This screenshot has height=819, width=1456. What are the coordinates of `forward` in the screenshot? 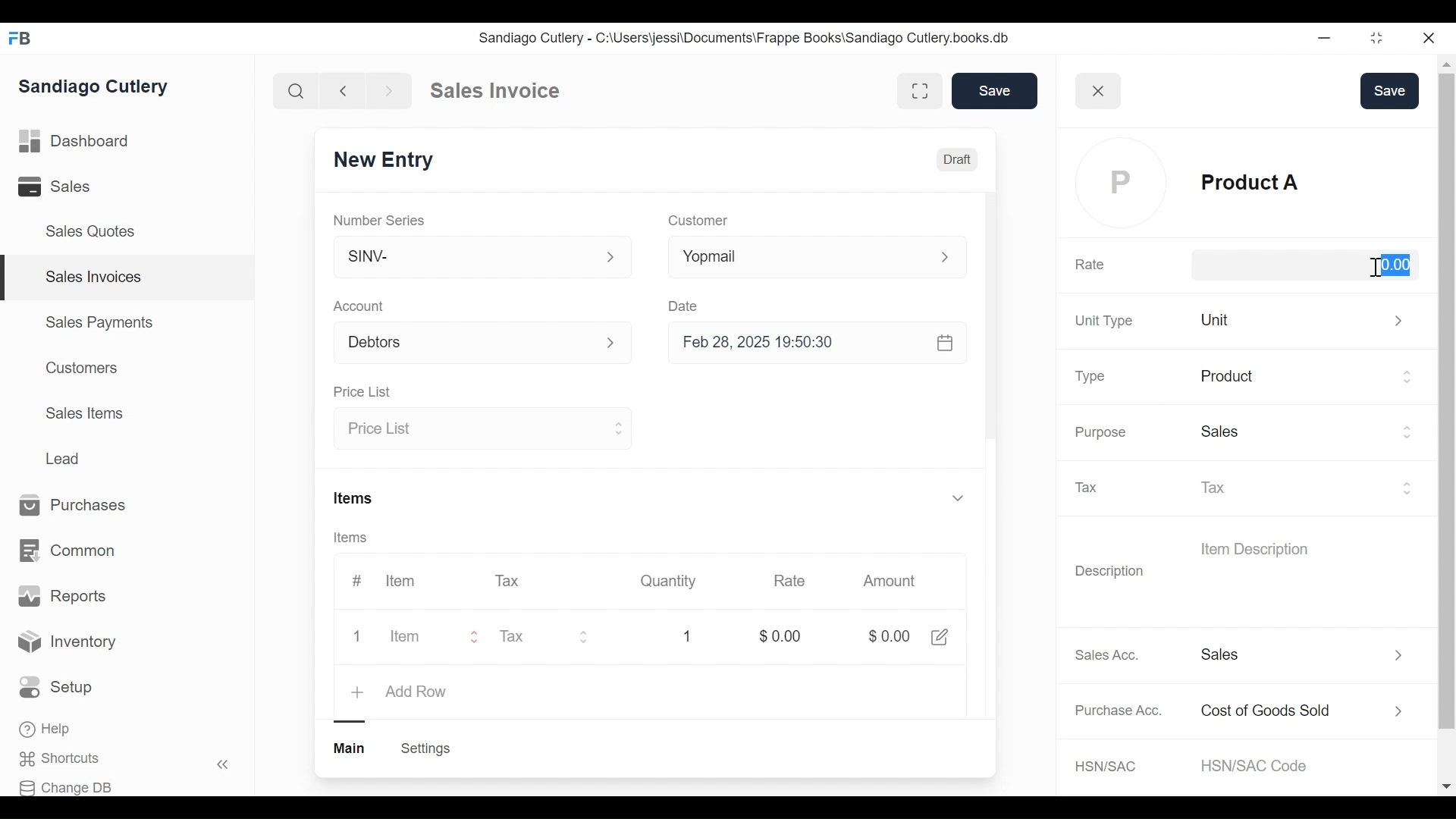 It's located at (390, 89).